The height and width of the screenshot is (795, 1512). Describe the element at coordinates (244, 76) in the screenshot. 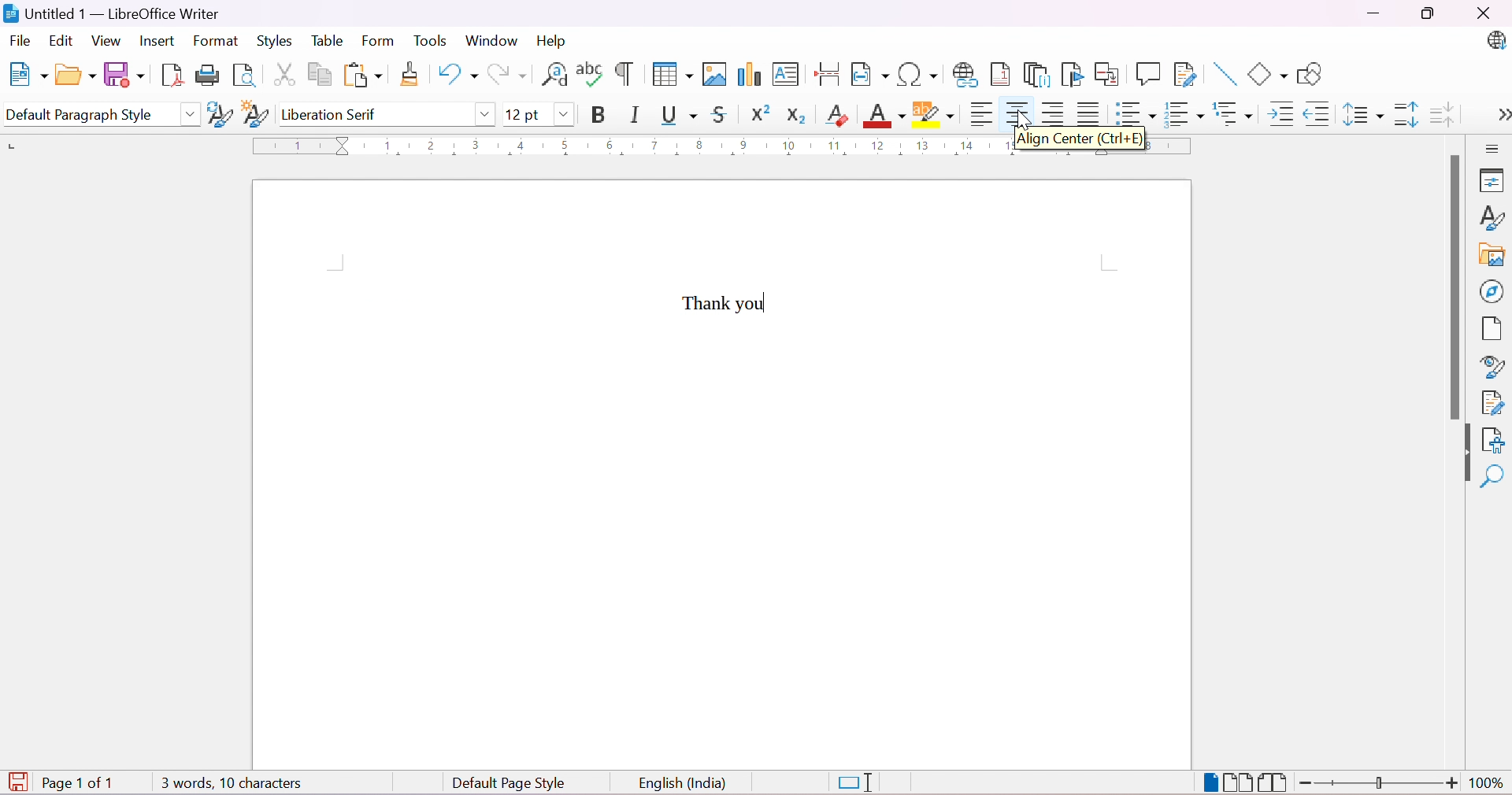

I see `Toggle Print Preview` at that location.